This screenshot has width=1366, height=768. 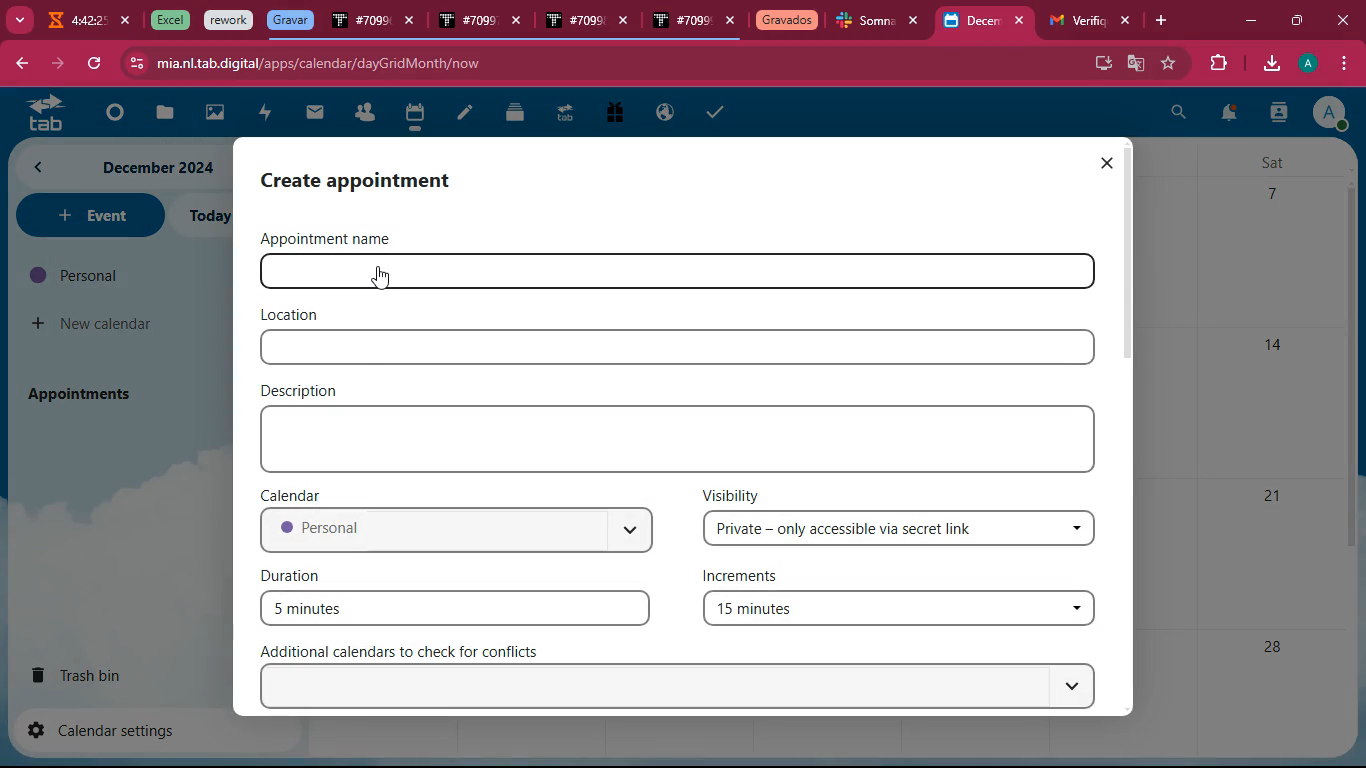 What do you see at coordinates (455, 532) in the screenshot?
I see `personal` at bounding box center [455, 532].